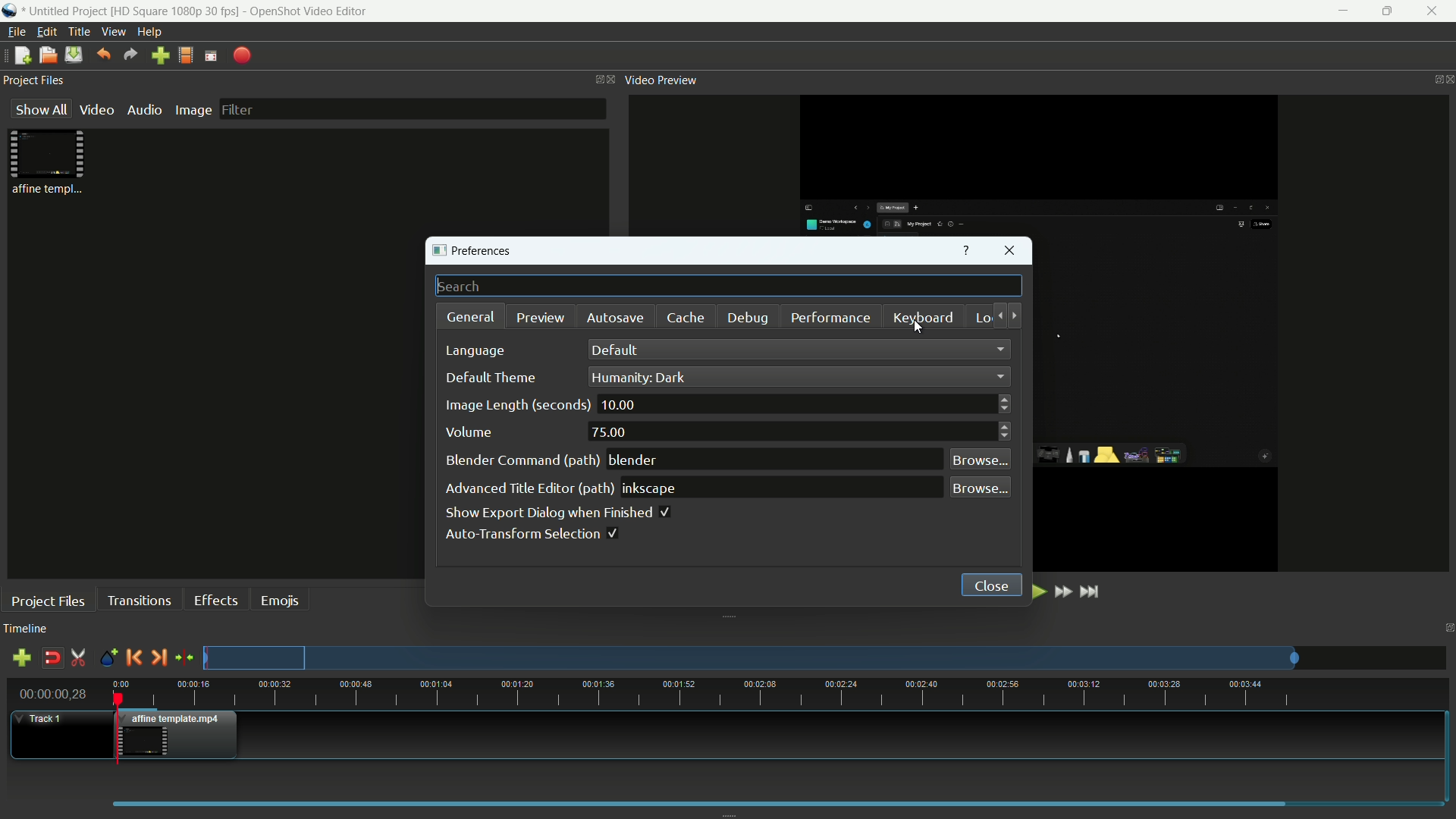 The height and width of the screenshot is (819, 1456). Describe the element at coordinates (615, 350) in the screenshot. I see `default` at that location.